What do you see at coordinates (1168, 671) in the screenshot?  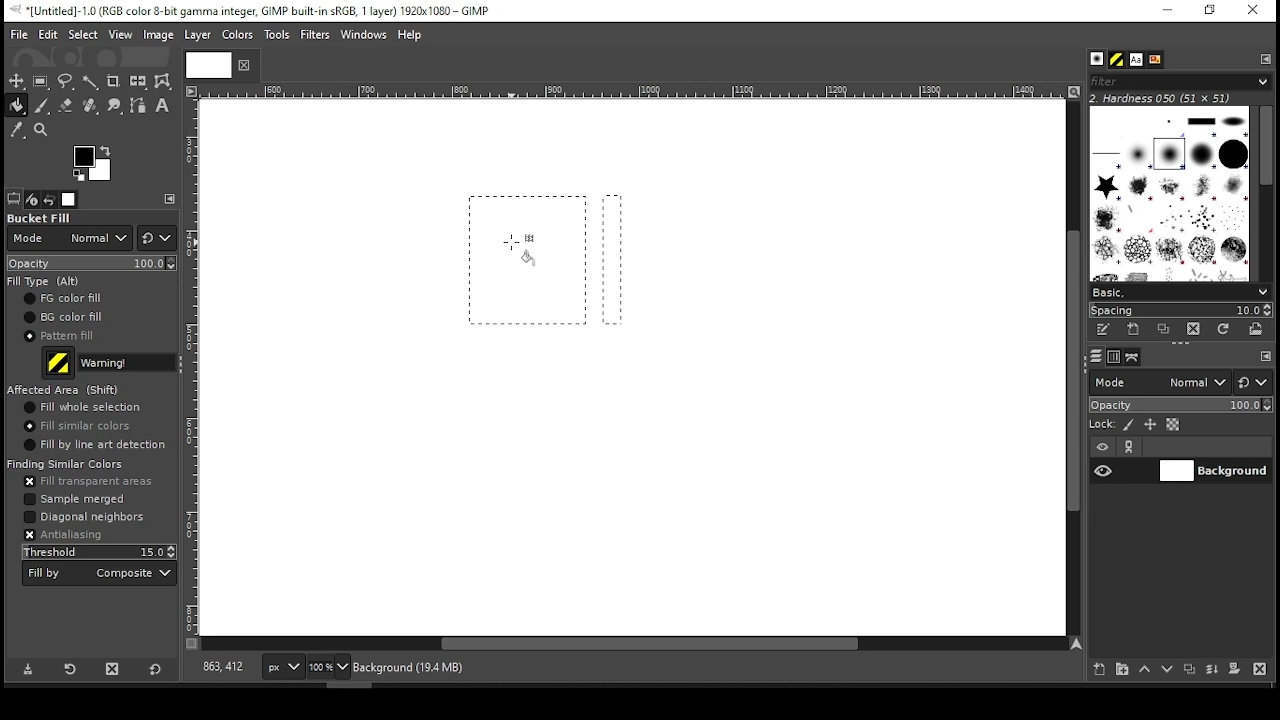 I see `move layer one step down` at bounding box center [1168, 671].